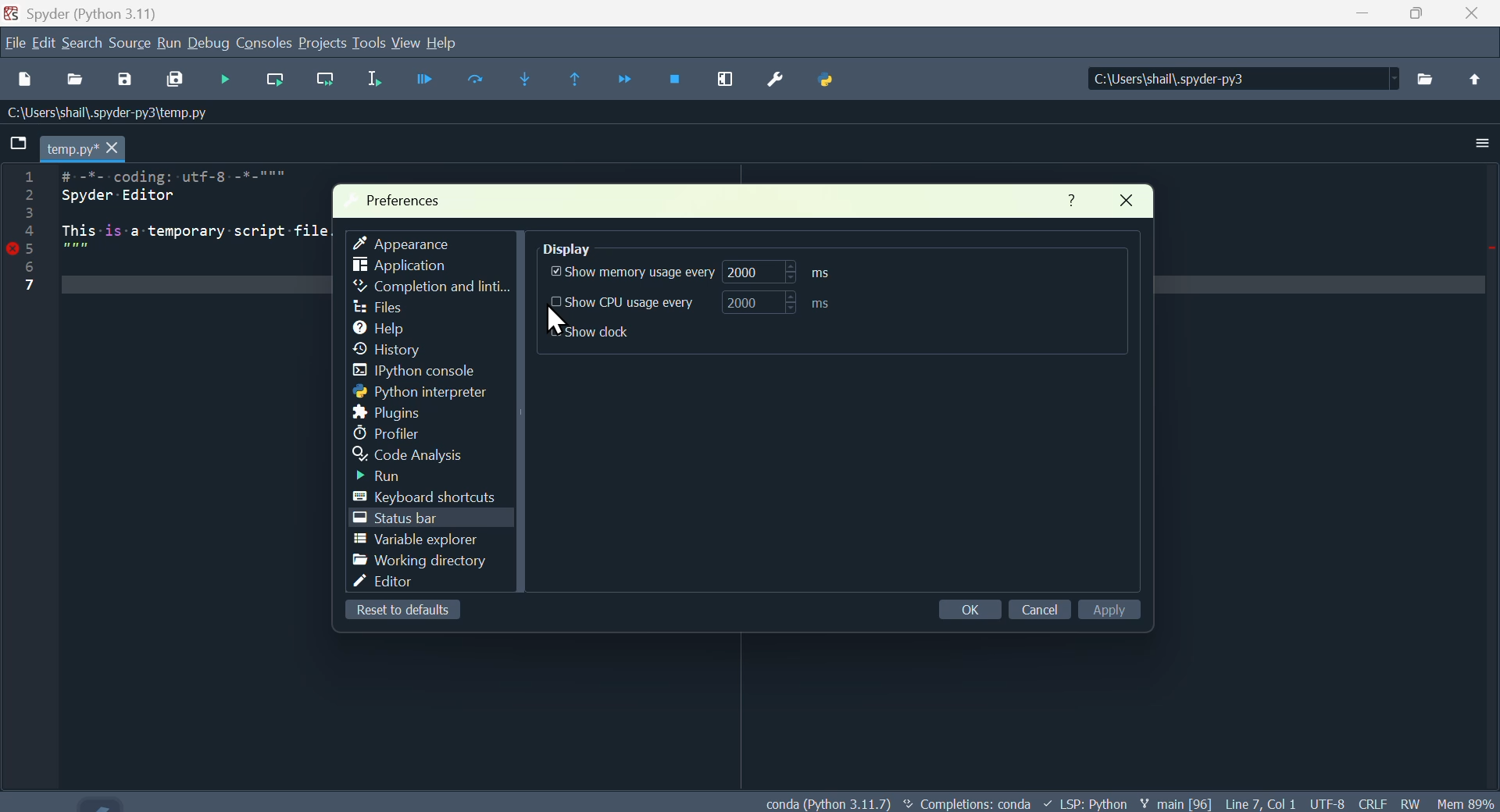 The image size is (1500, 812). What do you see at coordinates (102, 114) in the screenshot?
I see `:\Users\shal\.spyder-py3\temp.py` at bounding box center [102, 114].